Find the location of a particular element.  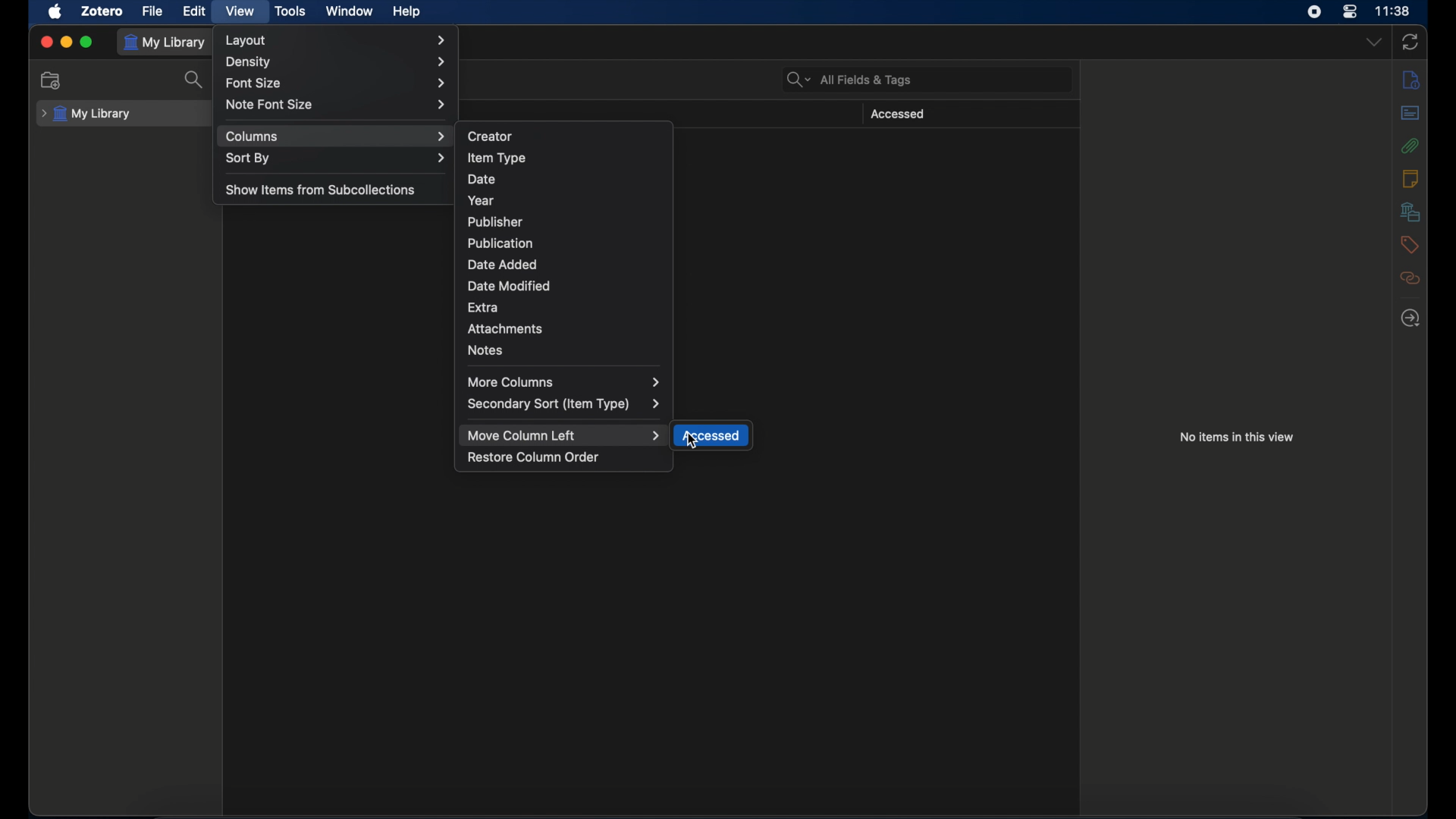

date added is located at coordinates (502, 265).